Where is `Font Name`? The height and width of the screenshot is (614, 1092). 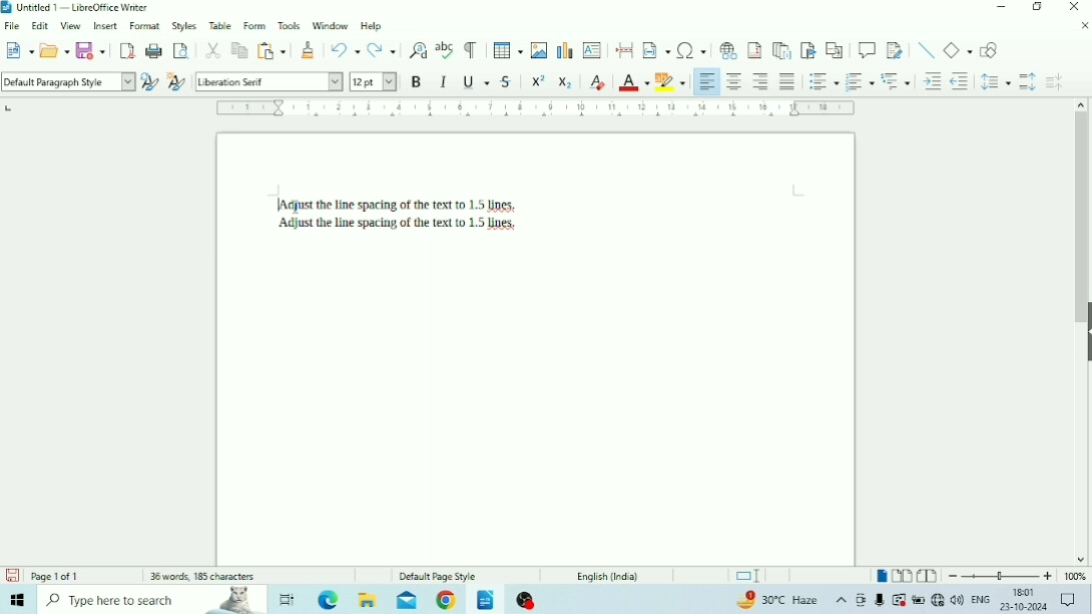 Font Name is located at coordinates (269, 81).